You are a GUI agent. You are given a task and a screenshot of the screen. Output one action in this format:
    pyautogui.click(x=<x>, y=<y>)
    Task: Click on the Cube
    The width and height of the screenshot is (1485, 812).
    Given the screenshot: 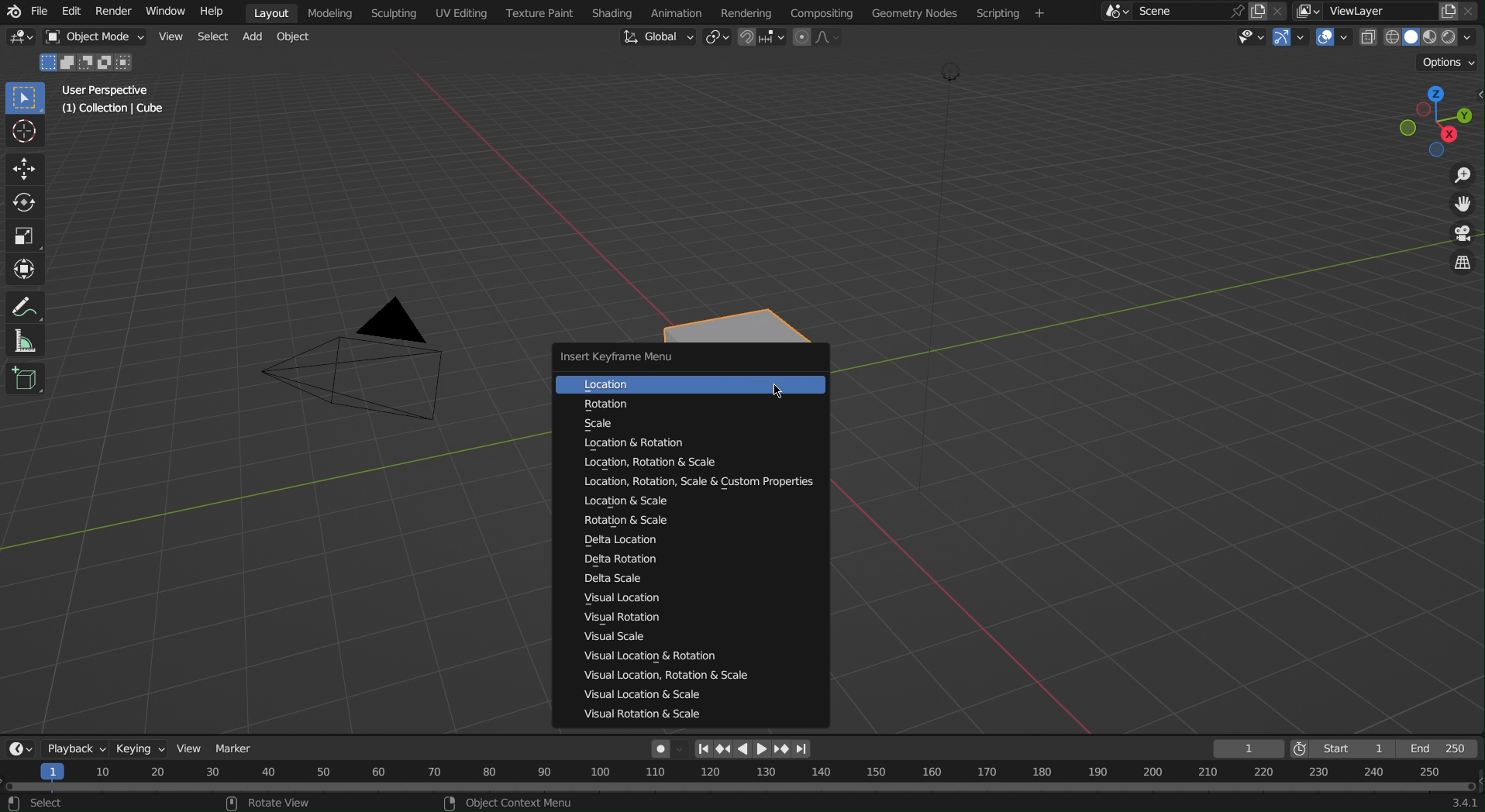 What is the action you would take?
    pyautogui.click(x=750, y=318)
    